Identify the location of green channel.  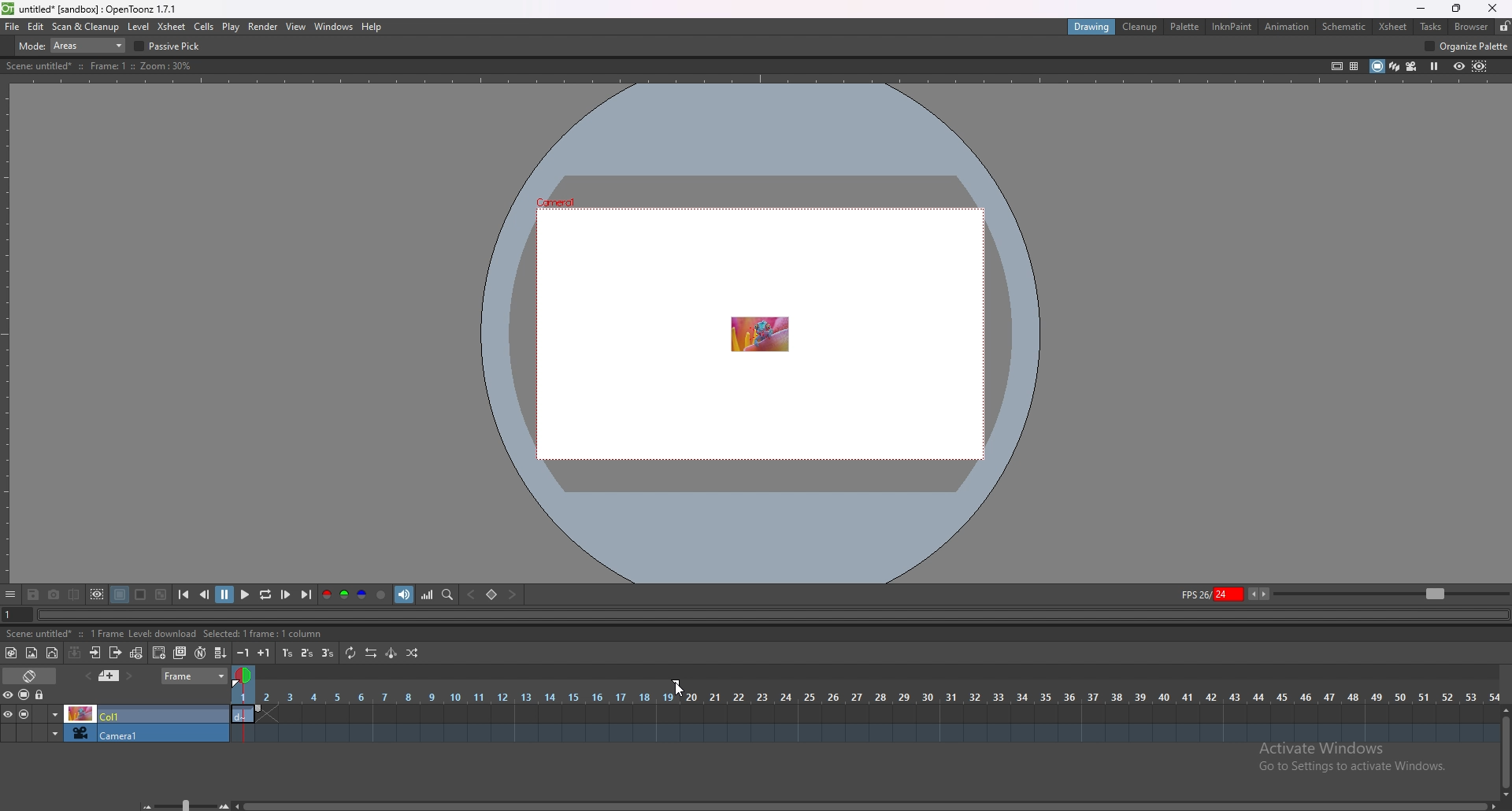
(345, 594).